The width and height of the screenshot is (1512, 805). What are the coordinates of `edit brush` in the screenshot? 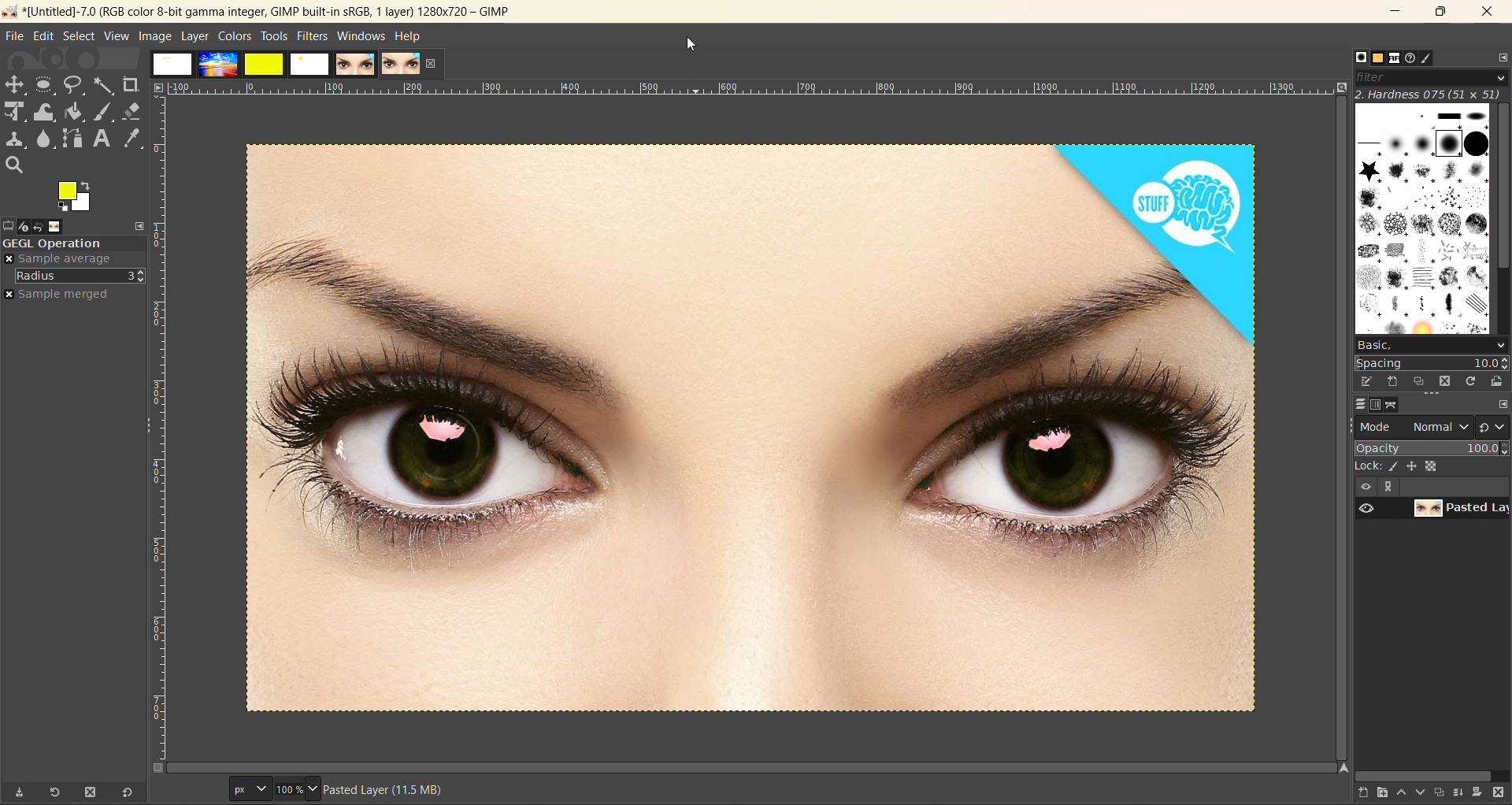 It's located at (1368, 382).